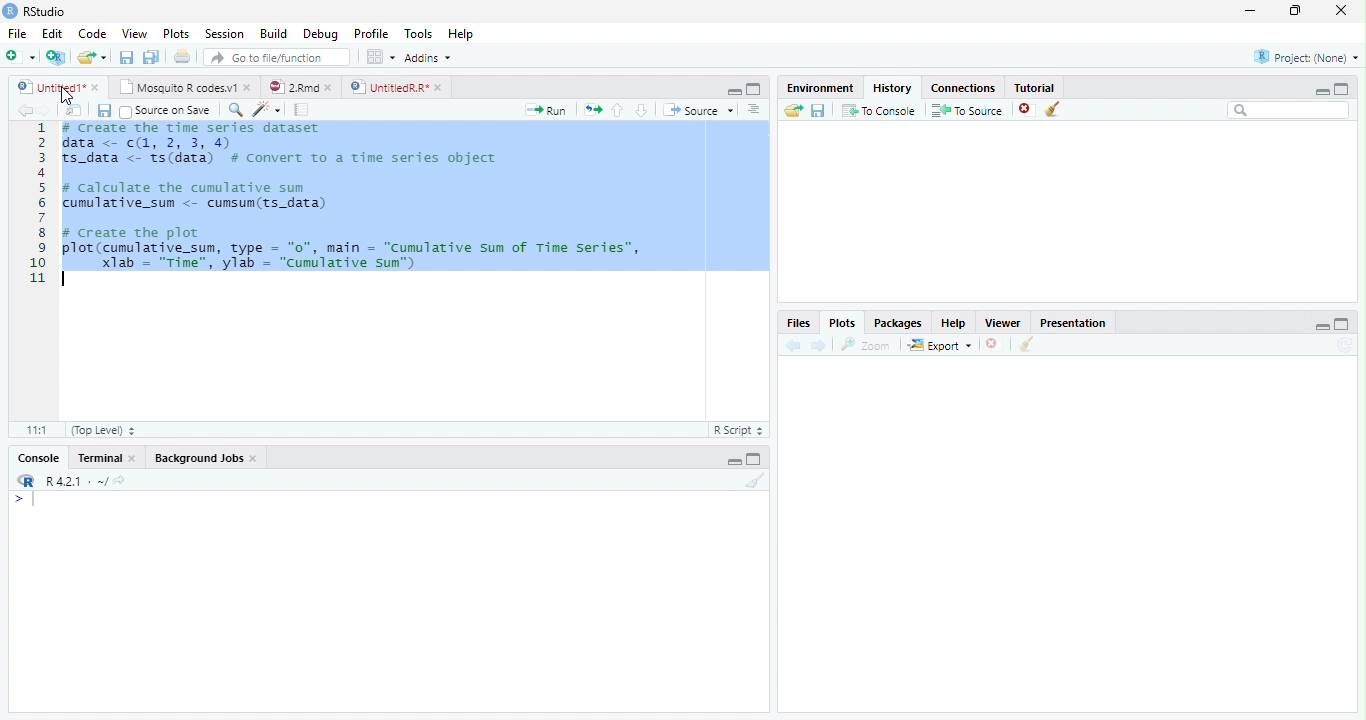  Describe the element at coordinates (430, 60) in the screenshot. I see `Addins` at that location.